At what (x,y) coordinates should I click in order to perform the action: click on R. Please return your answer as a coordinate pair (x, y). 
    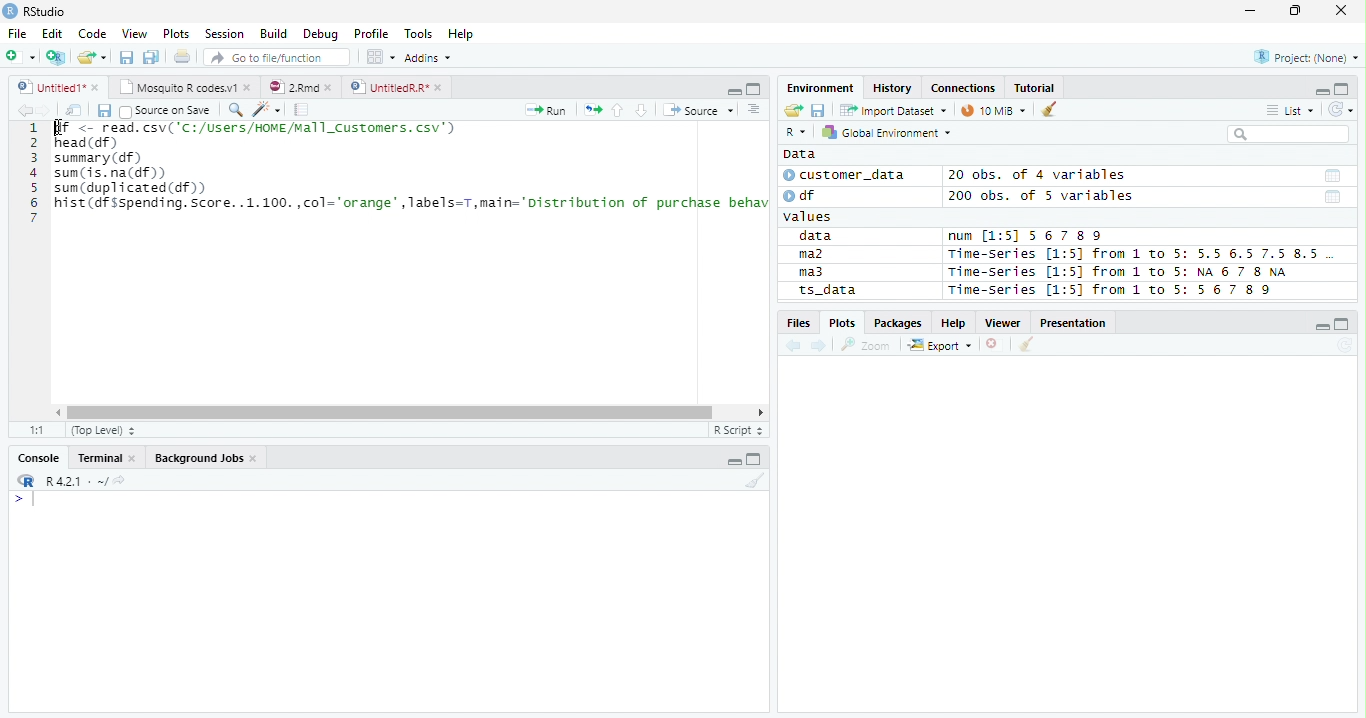
    Looking at the image, I should click on (24, 481).